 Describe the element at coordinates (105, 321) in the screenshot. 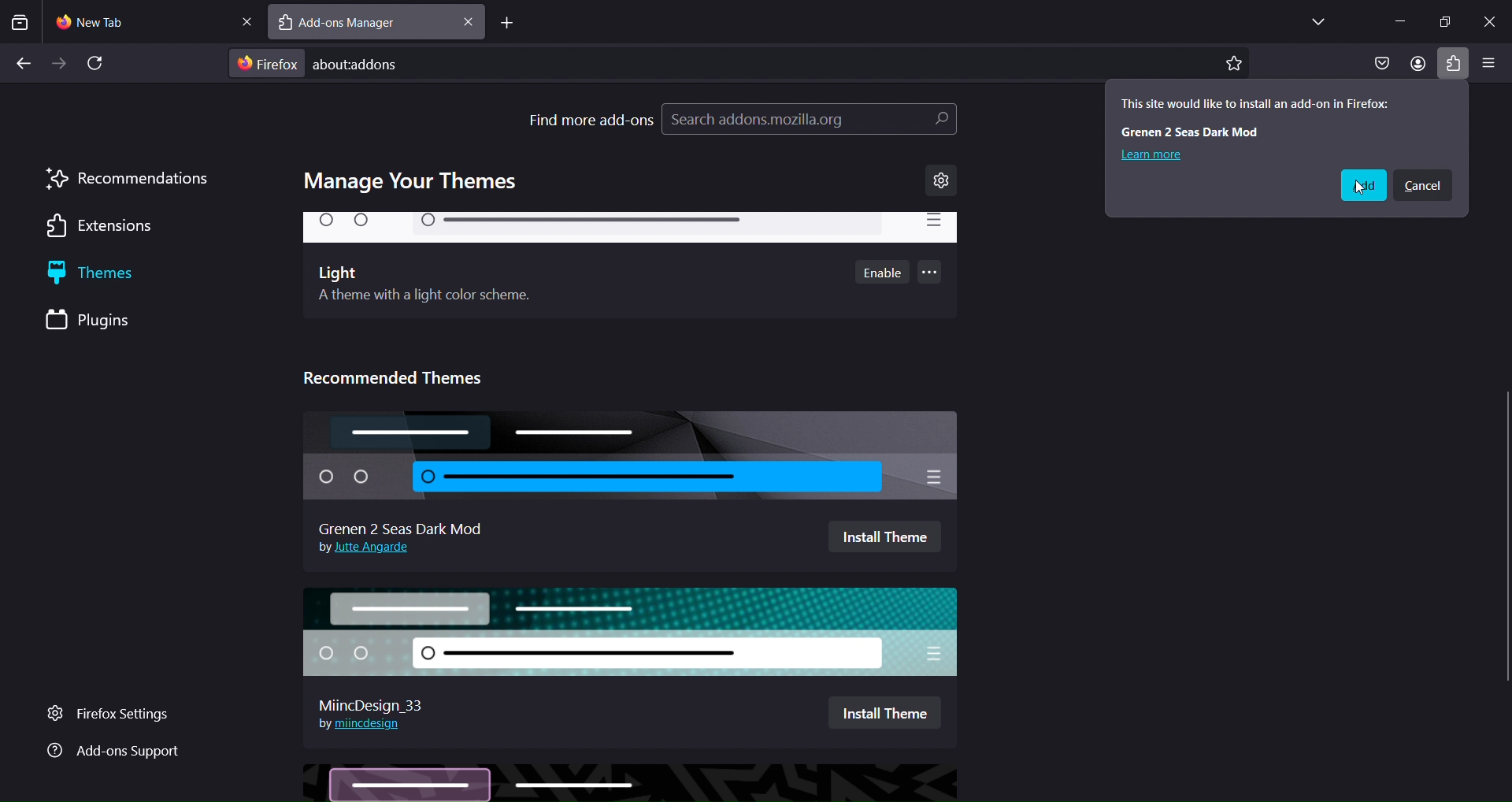

I see `plugins` at that location.